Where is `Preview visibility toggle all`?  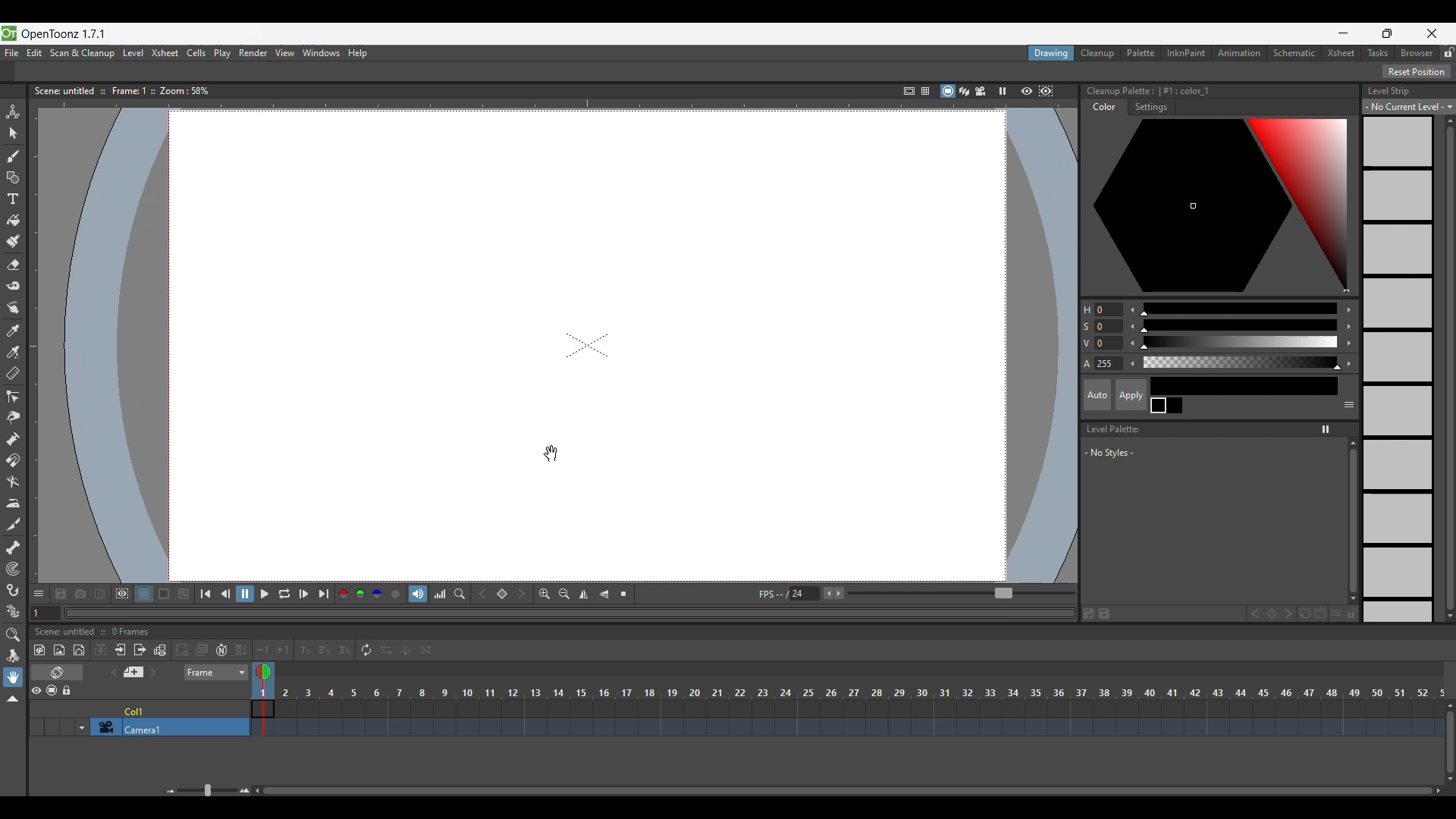
Preview visibility toggle all is located at coordinates (34, 689).